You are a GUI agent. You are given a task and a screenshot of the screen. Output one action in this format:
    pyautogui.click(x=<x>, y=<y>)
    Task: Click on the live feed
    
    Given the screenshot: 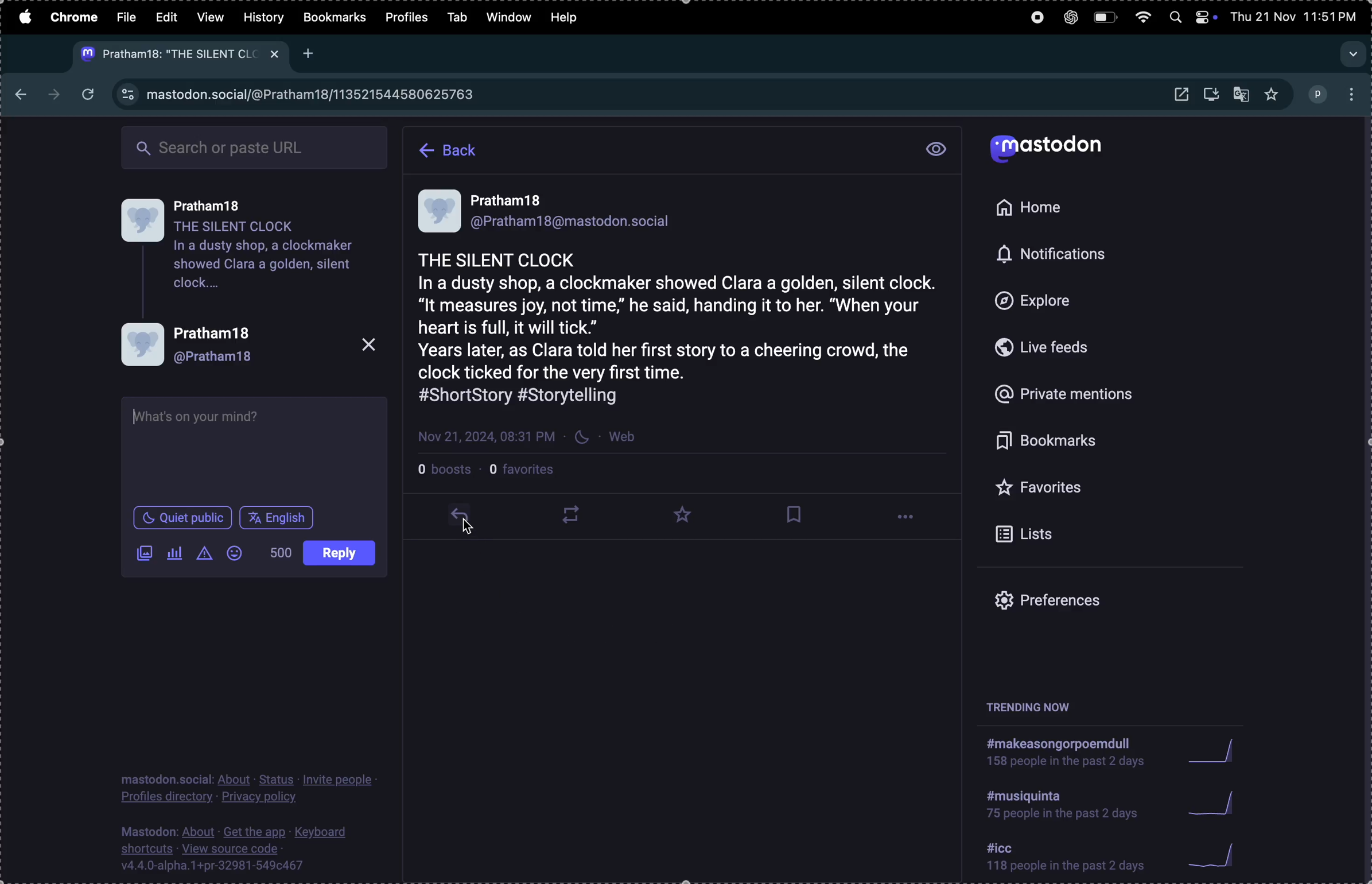 What is the action you would take?
    pyautogui.click(x=1058, y=347)
    